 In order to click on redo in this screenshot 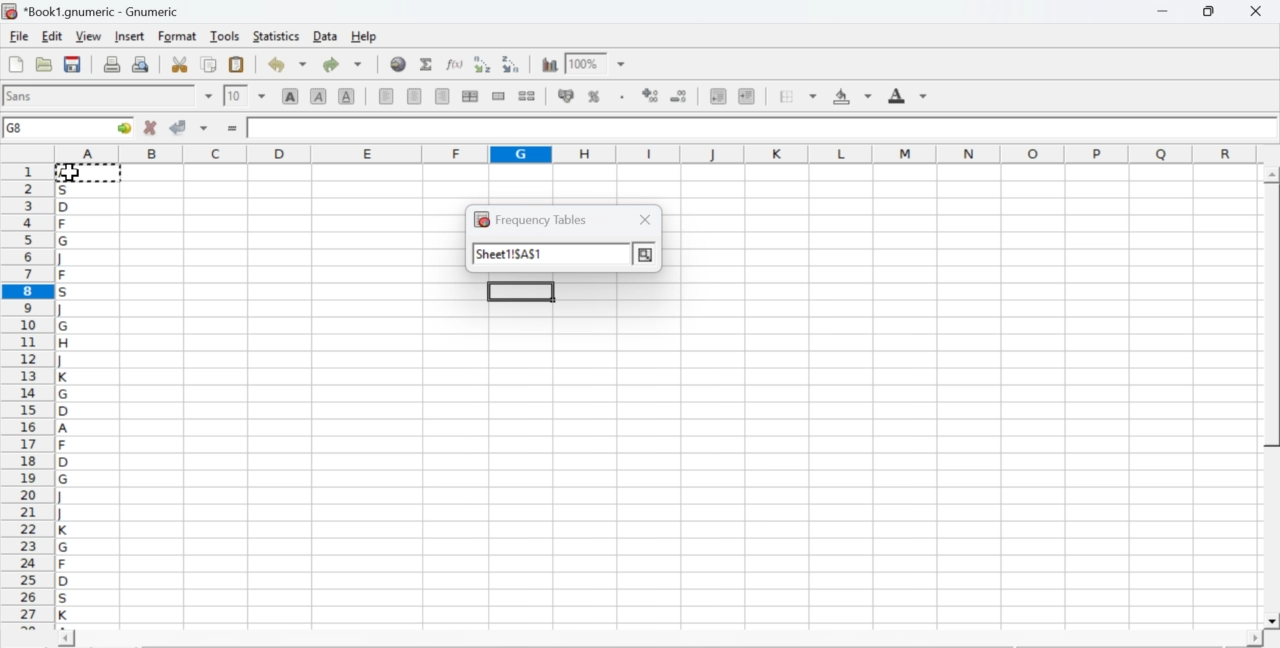, I will do `click(342, 64)`.